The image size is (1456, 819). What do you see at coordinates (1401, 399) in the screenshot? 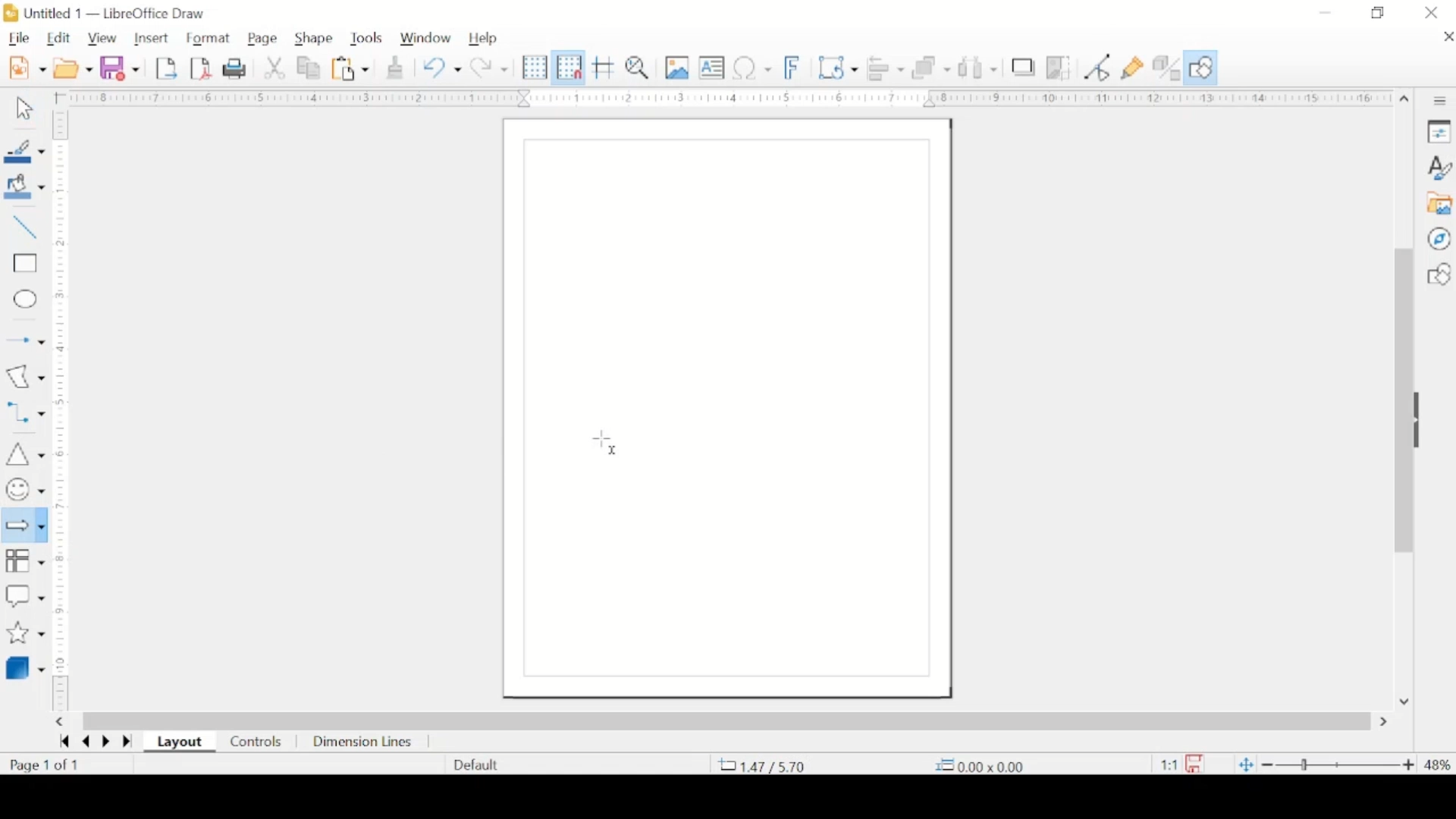
I see `scrolll box` at bounding box center [1401, 399].